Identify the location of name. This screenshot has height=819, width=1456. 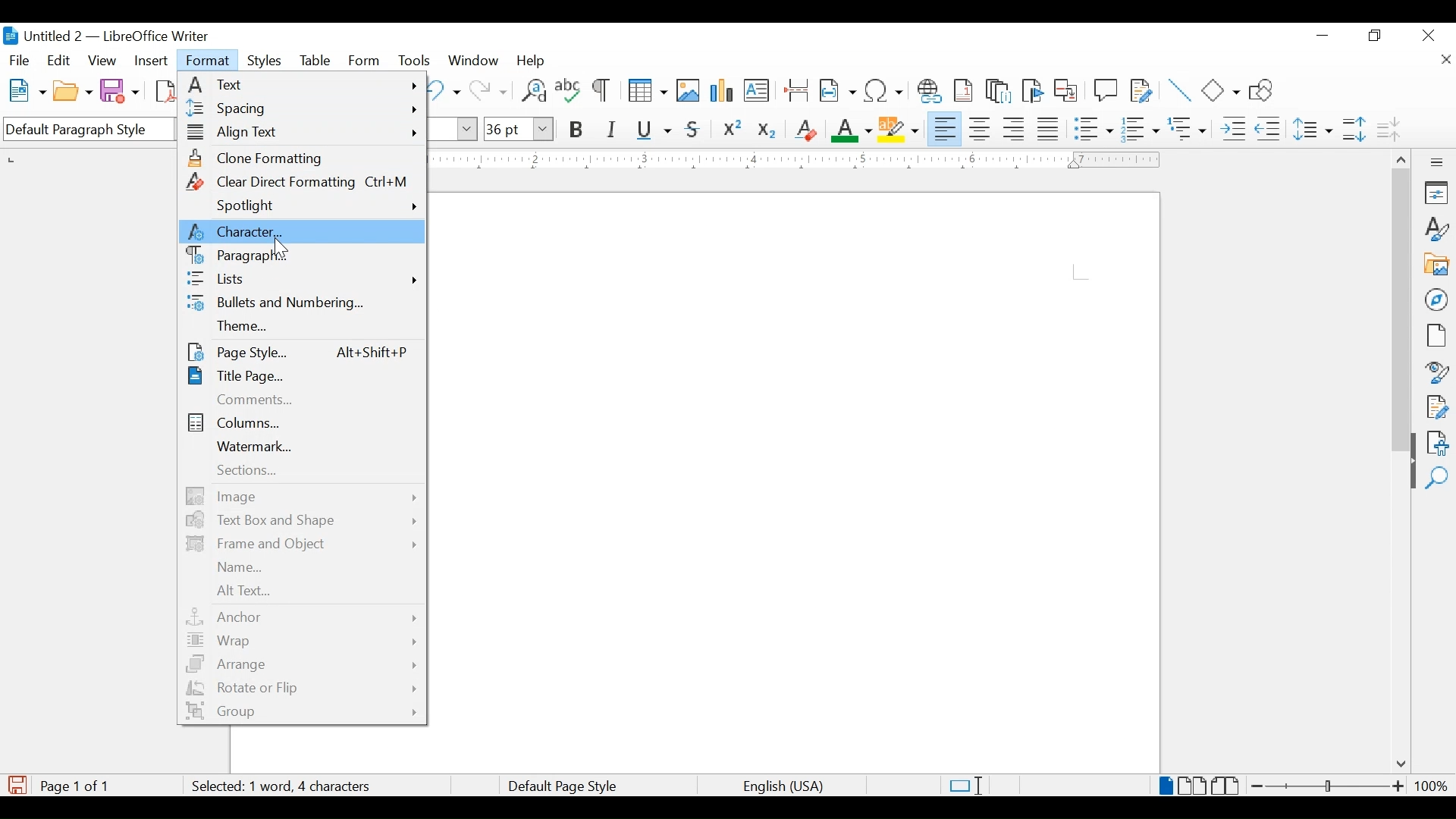
(241, 568).